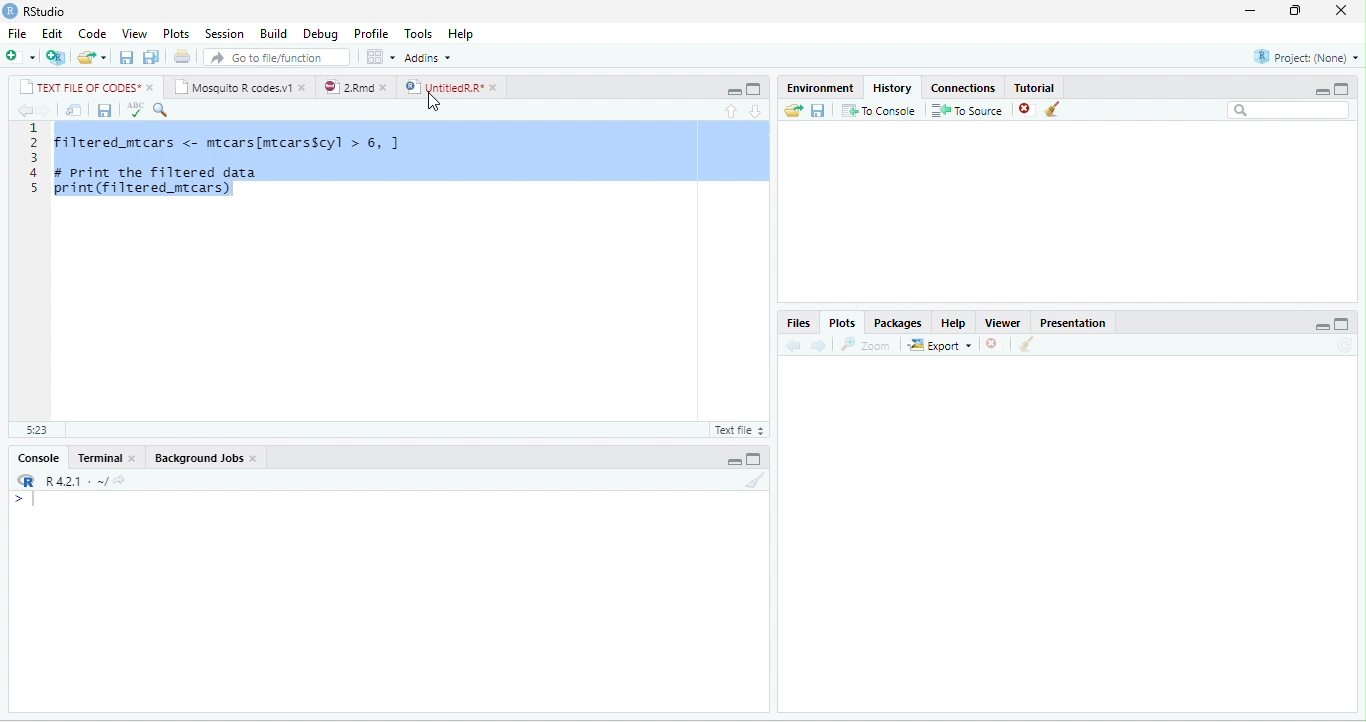  Describe the element at coordinates (963, 88) in the screenshot. I see `Connections` at that location.